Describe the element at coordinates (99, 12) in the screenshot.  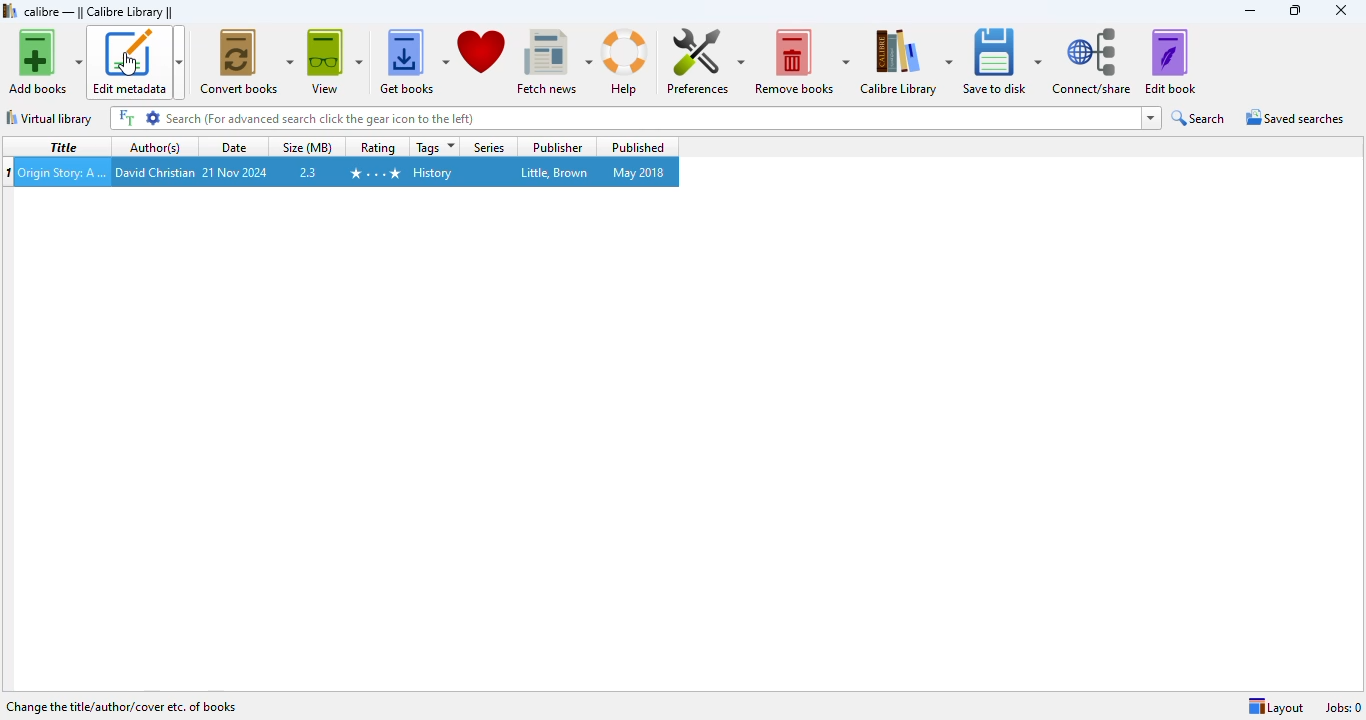
I see `calibre library` at that location.